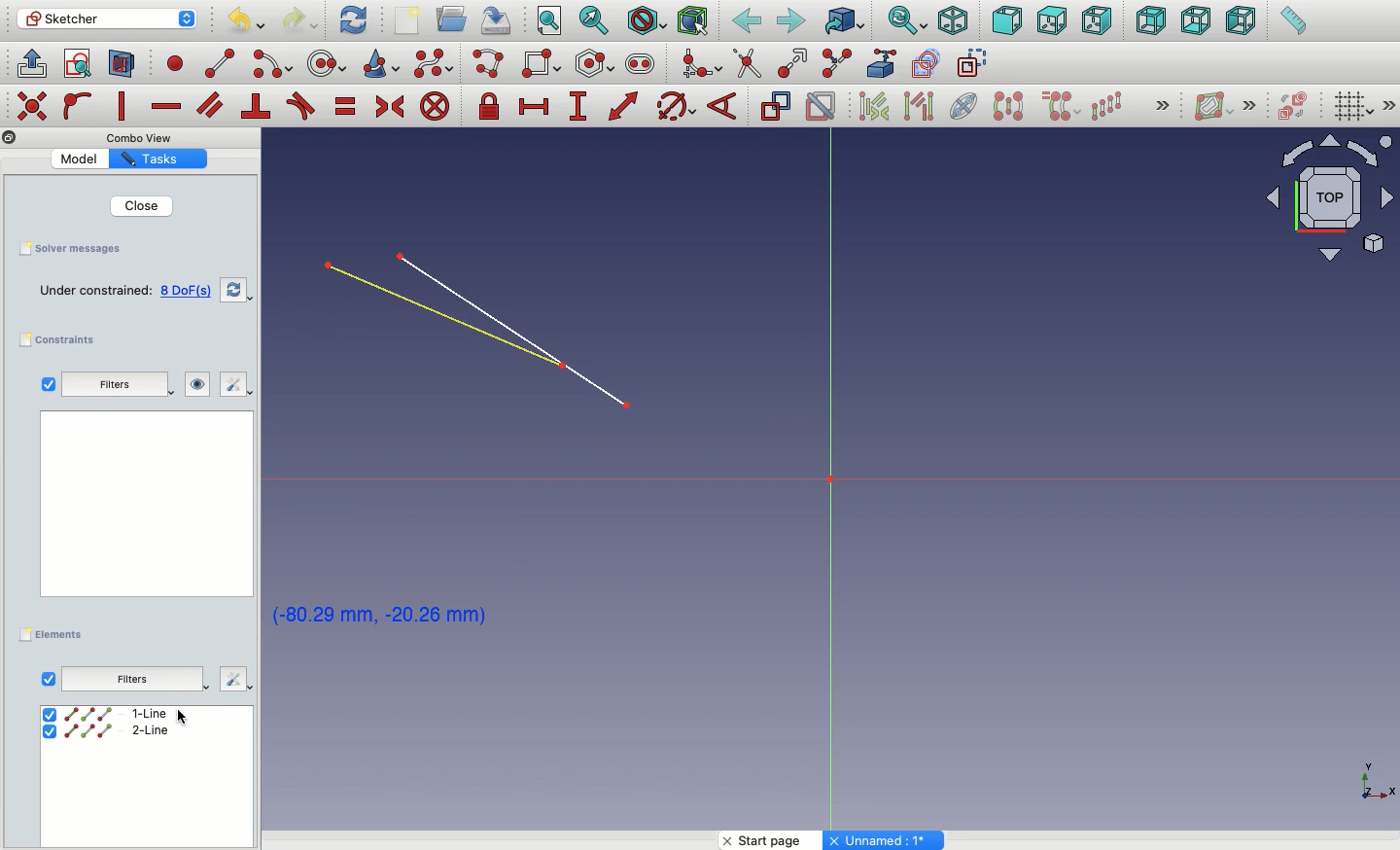 This screenshot has height=850, width=1400. I want to click on , so click(142, 512).